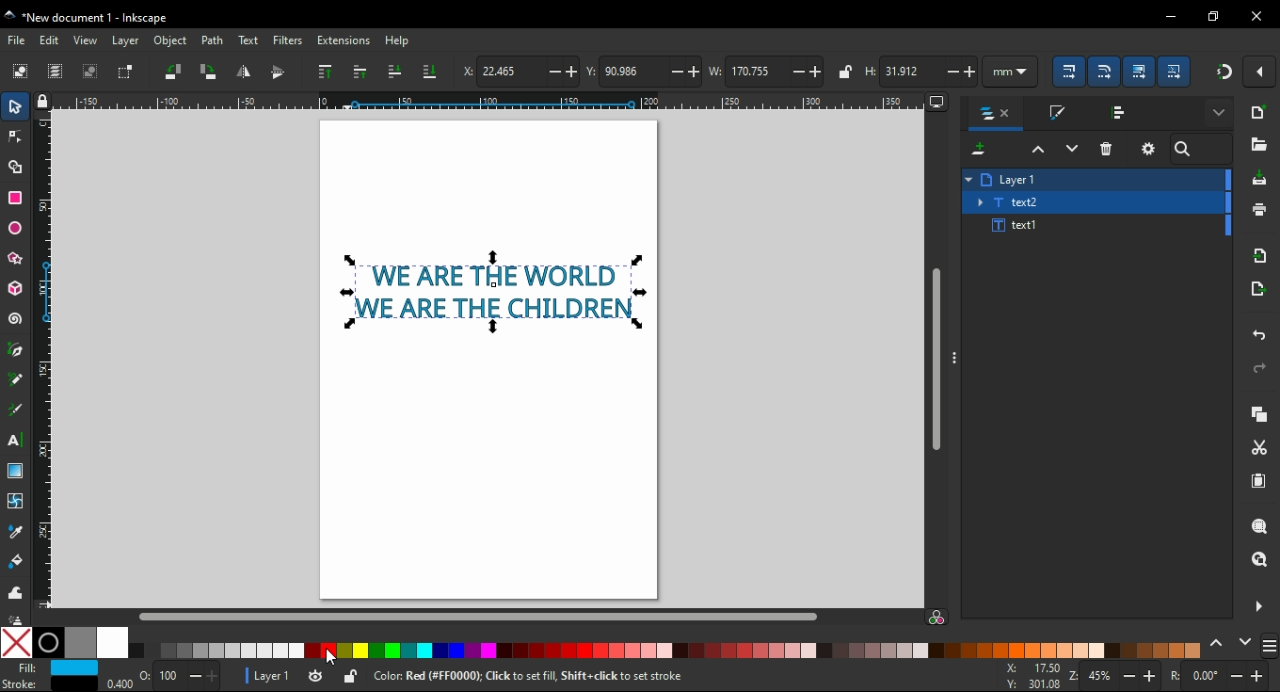  Describe the element at coordinates (431, 72) in the screenshot. I see `lower to bottom` at that location.